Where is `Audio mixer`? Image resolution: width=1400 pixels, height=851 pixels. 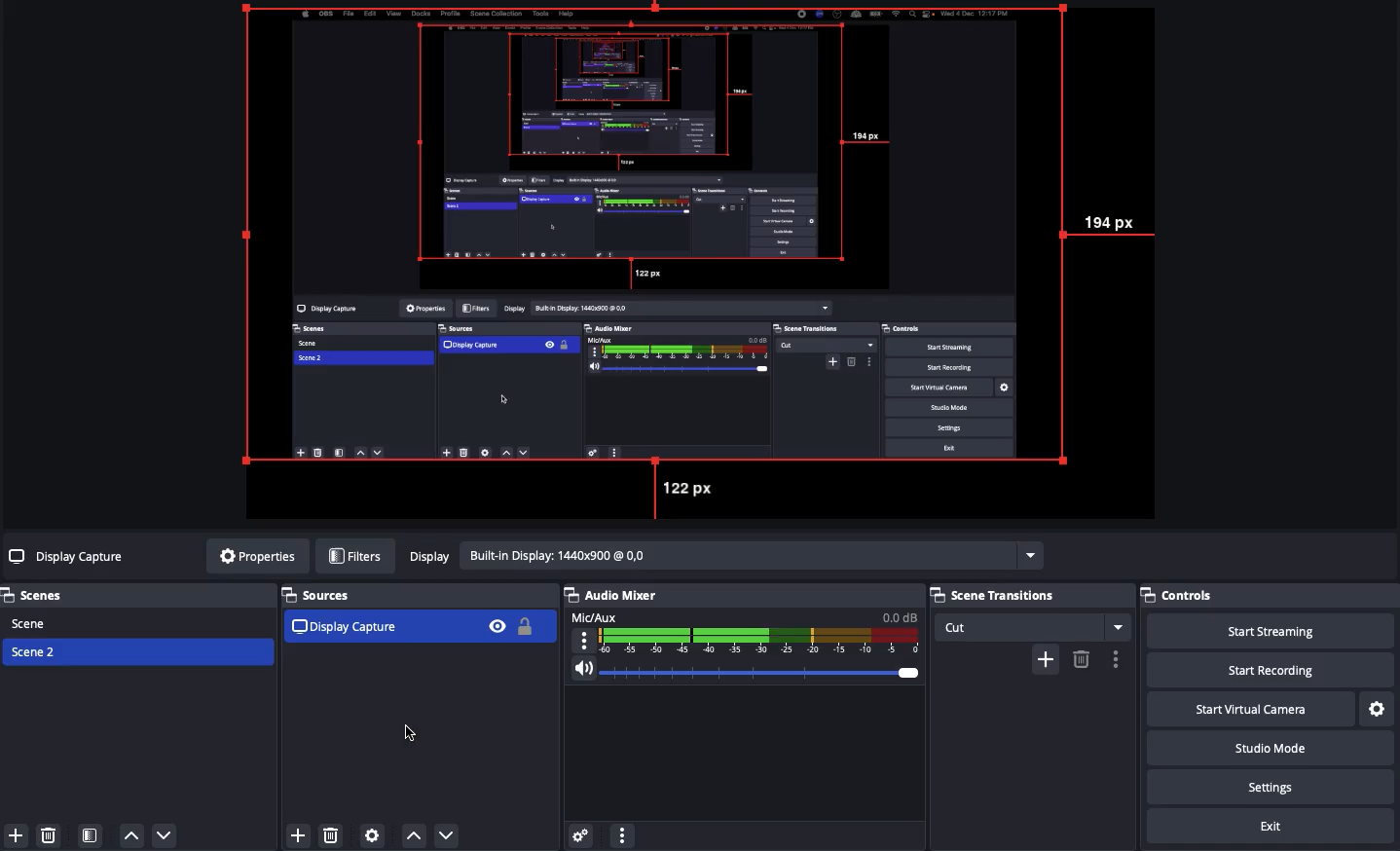
Audio mixer is located at coordinates (613, 595).